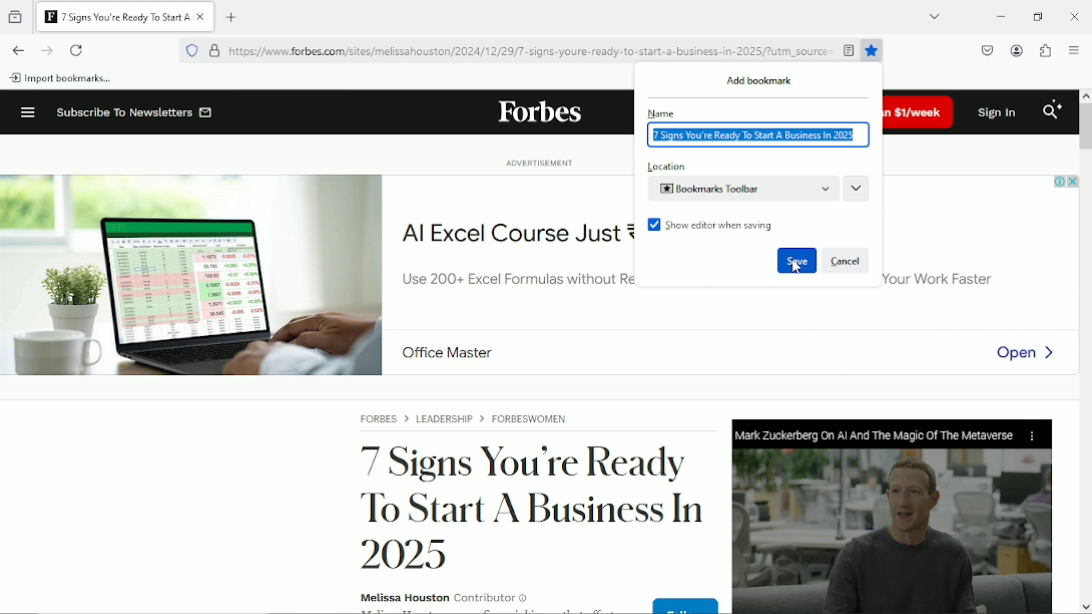 The image size is (1092, 614). What do you see at coordinates (1000, 17) in the screenshot?
I see `minimize` at bounding box center [1000, 17].